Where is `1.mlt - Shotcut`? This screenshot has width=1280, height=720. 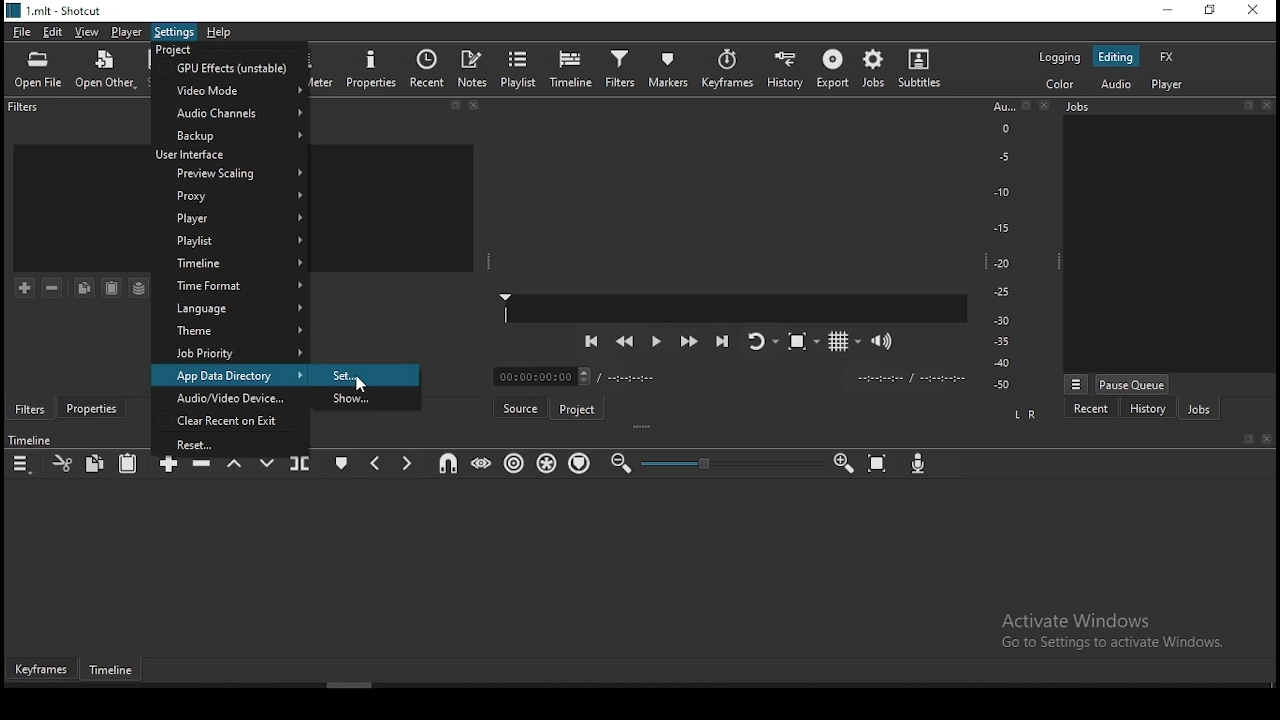 1.mlt - Shotcut is located at coordinates (56, 11).